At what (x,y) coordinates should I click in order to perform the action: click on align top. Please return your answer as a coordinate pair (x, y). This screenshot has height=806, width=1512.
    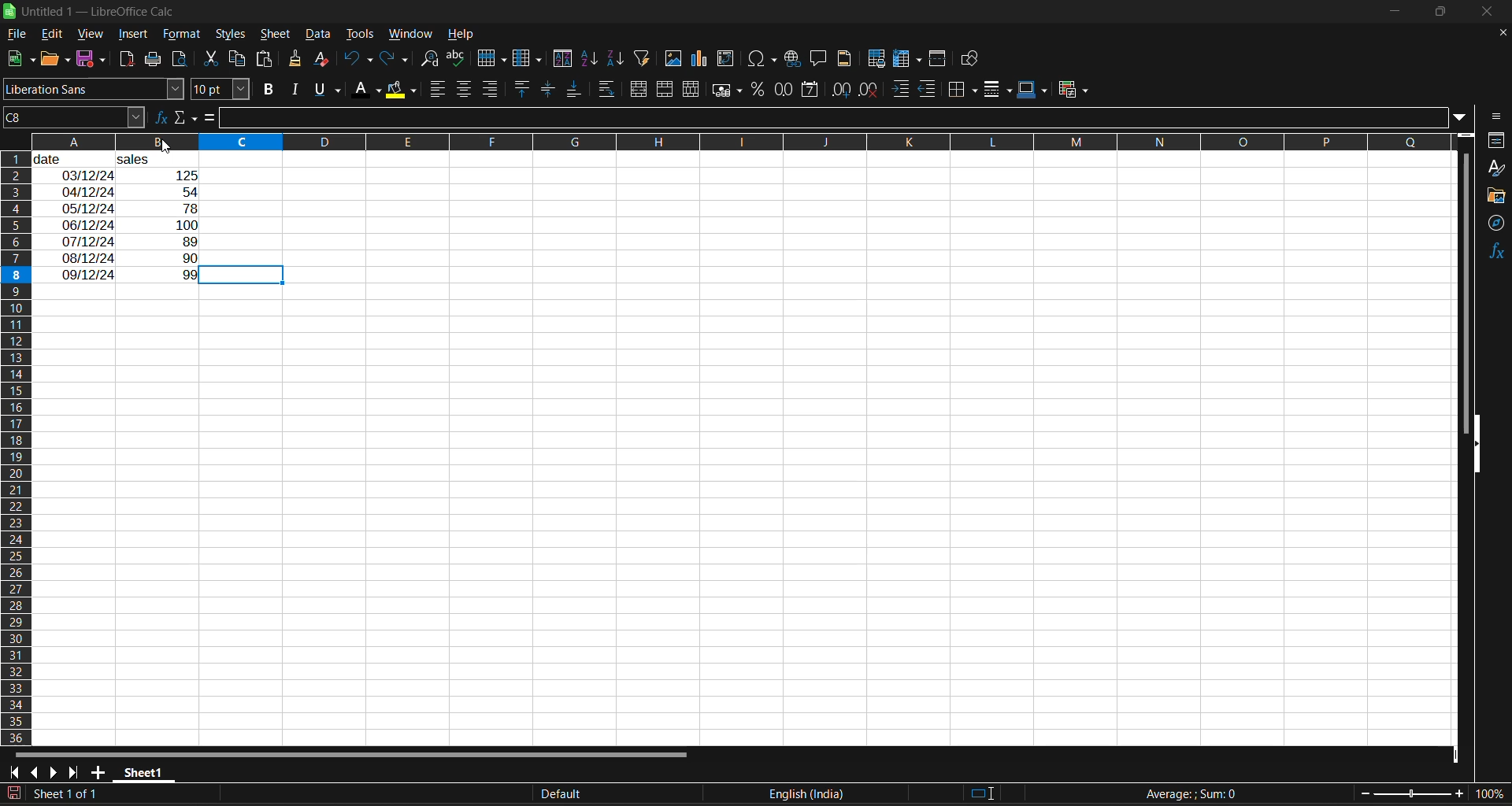
    Looking at the image, I should click on (523, 88).